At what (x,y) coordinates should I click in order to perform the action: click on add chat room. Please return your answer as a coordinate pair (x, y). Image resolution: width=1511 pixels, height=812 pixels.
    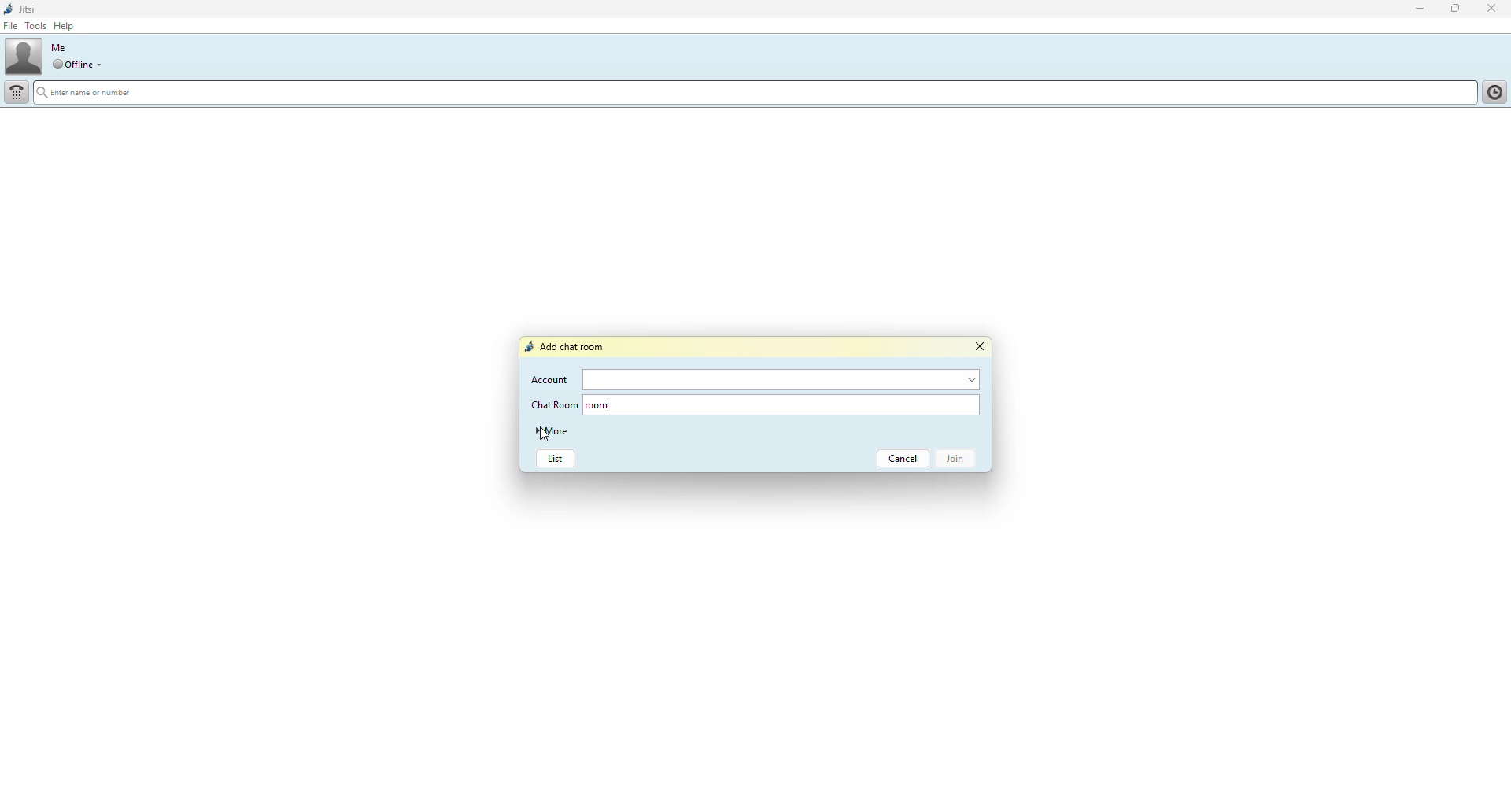
    Looking at the image, I should click on (567, 347).